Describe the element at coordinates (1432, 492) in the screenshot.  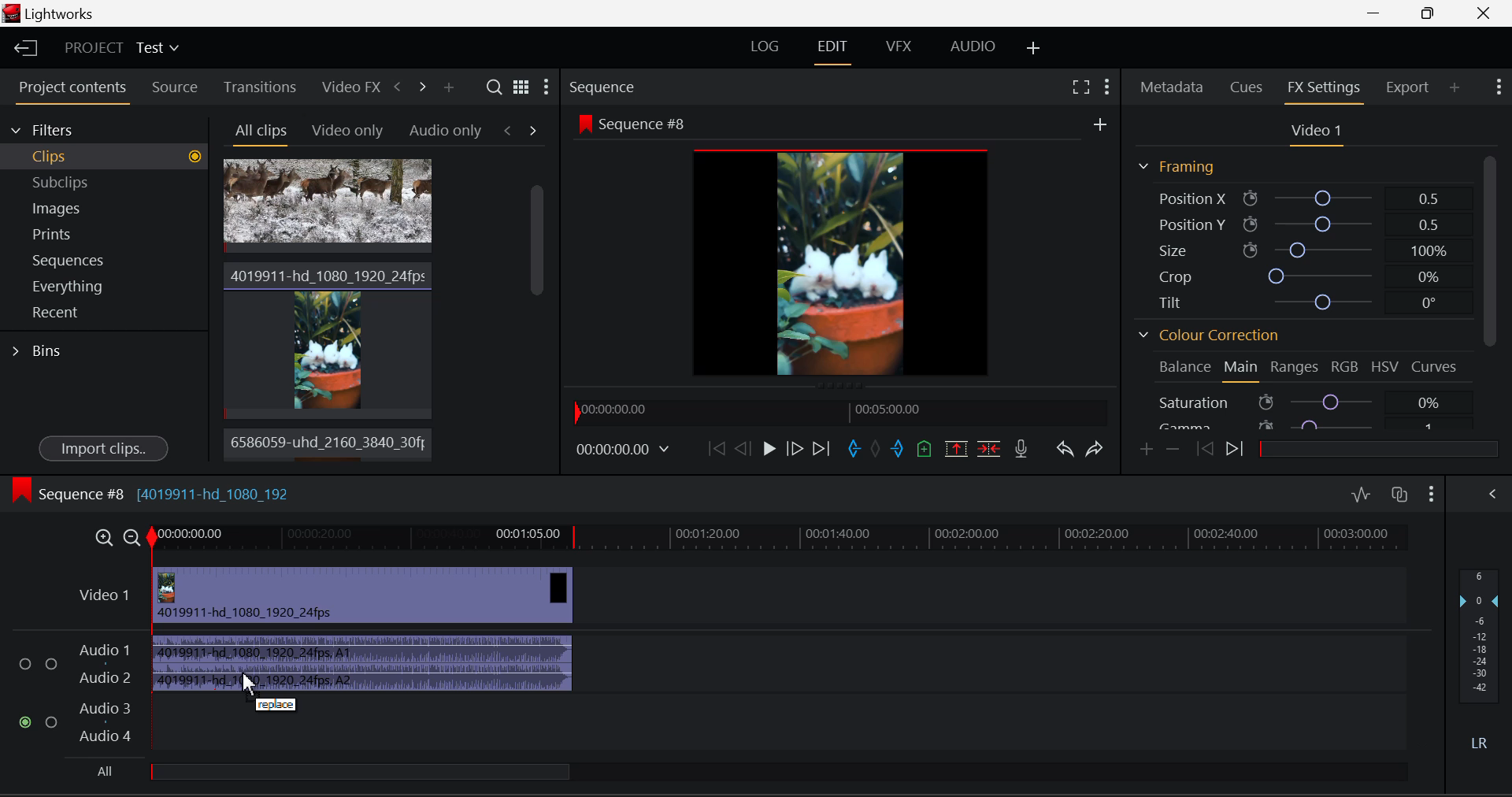
I see `Show Settings` at that location.